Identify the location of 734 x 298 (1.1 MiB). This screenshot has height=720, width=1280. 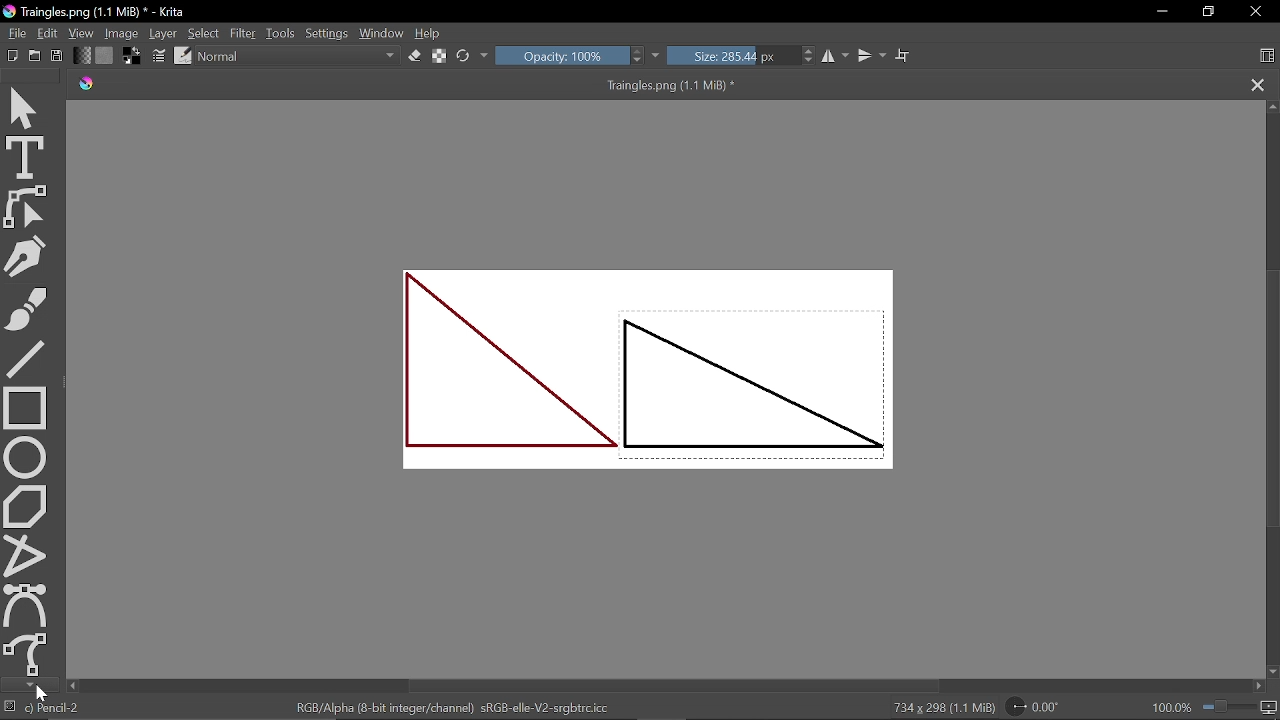
(938, 708).